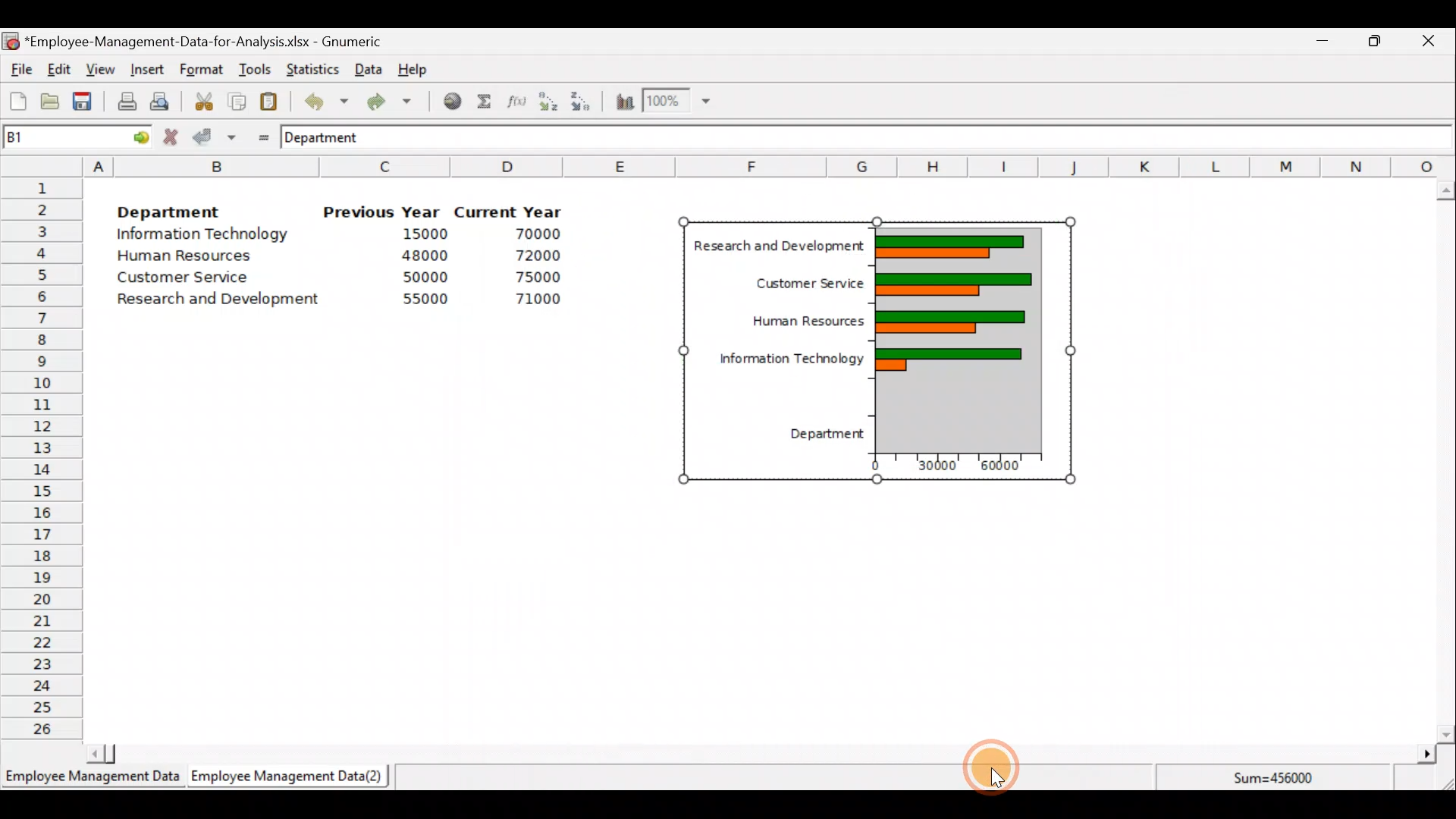 The image size is (1456, 819). What do you see at coordinates (775, 167) in the screenshot?
I see `Columns` at bounding box center [775, 167].